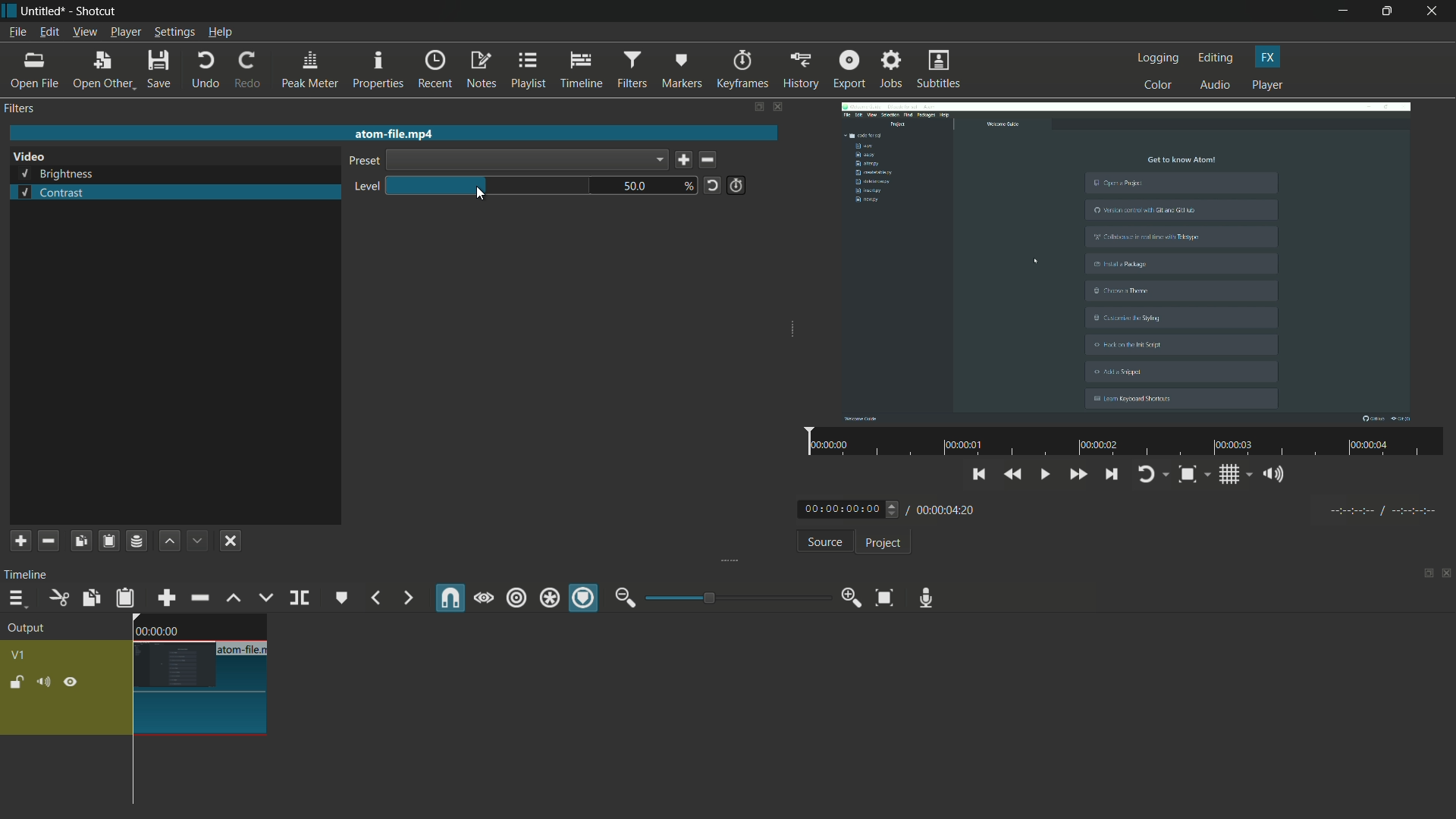 The height and width of the screenshot is (819, 1456). Describe the element at coordinates (1112, 476) in the screenshot. I see `skip to the next point` at that location.